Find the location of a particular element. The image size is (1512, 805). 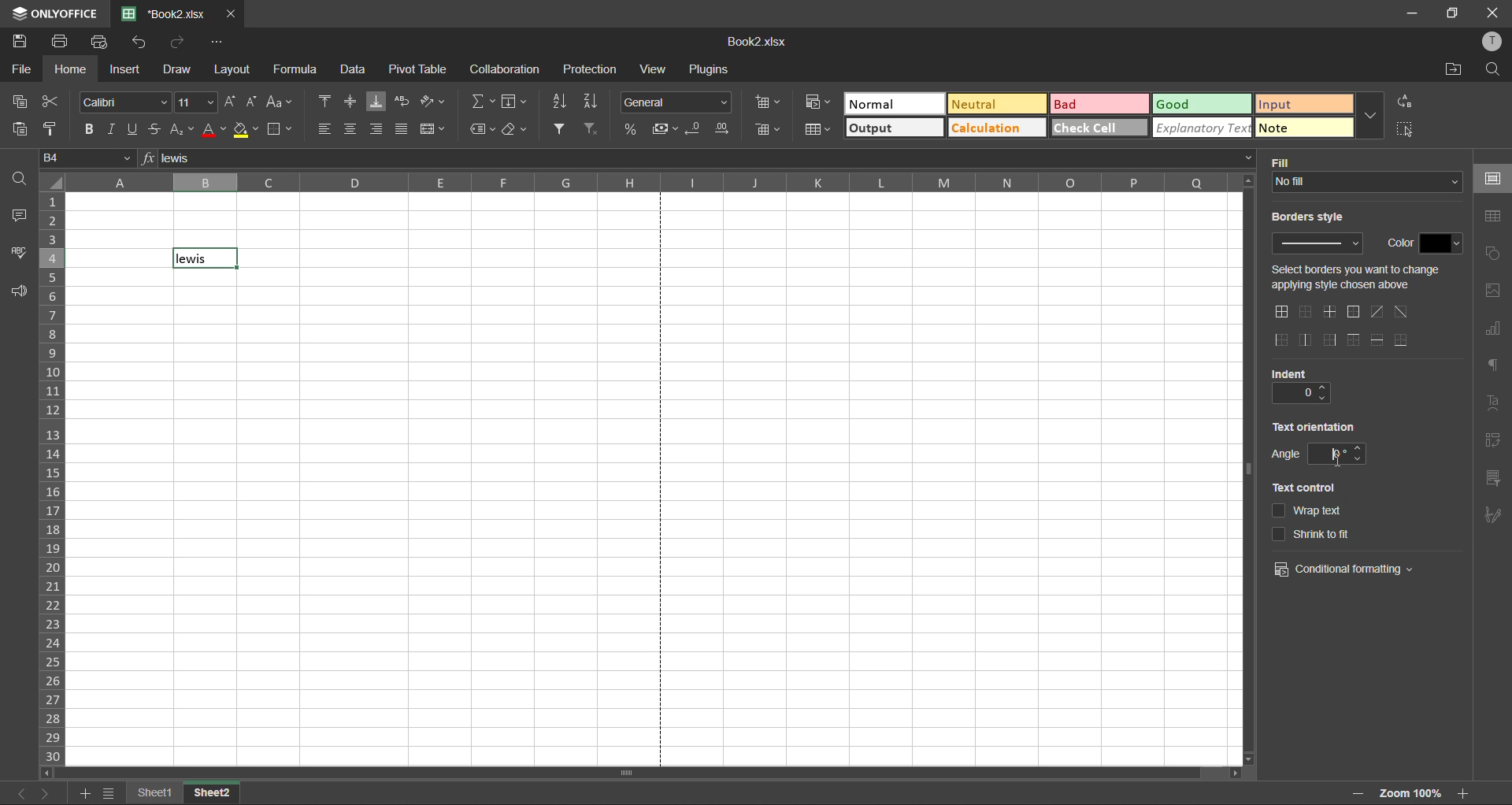

close tab is located at coordinates (231, 16).